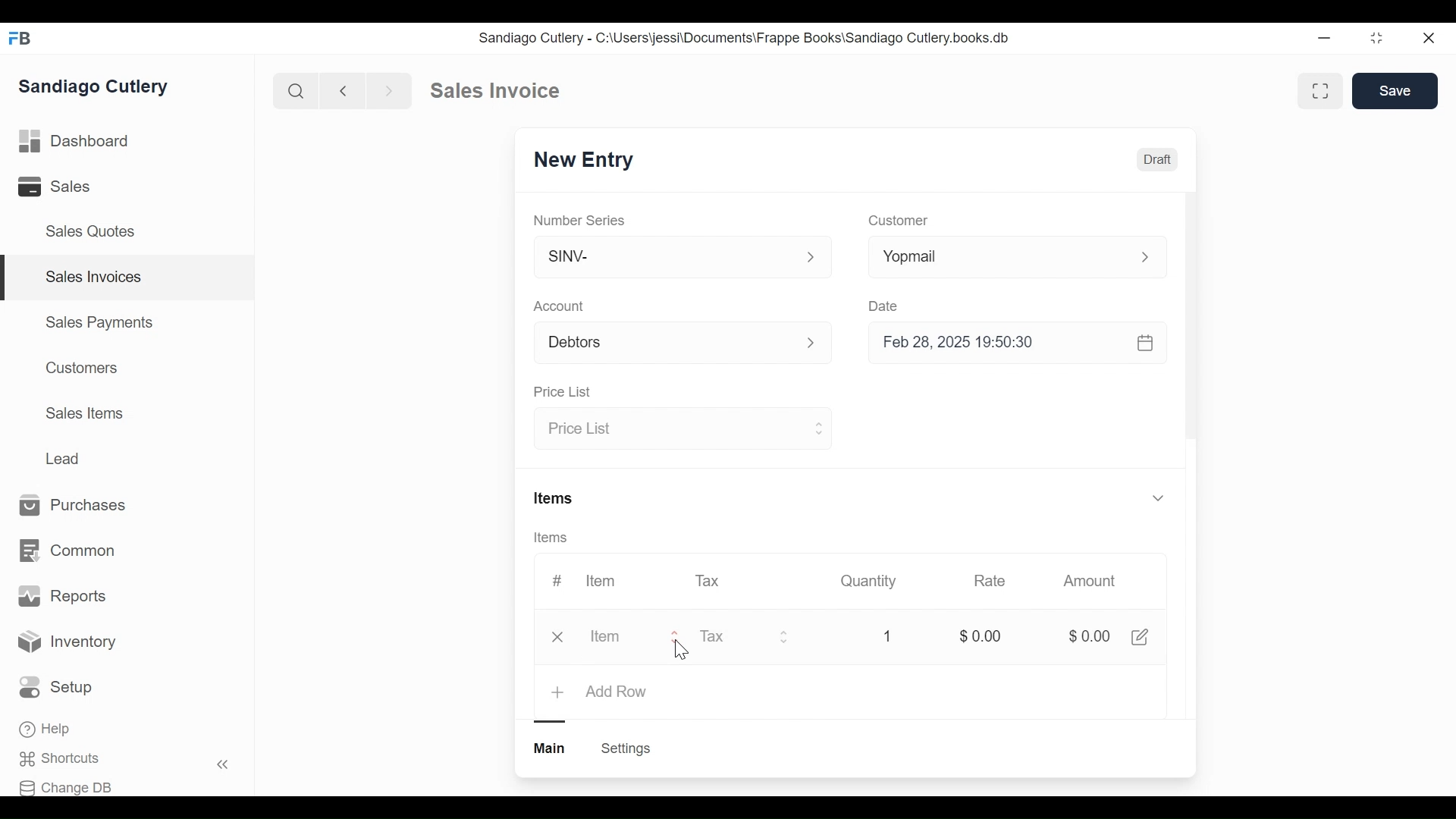 Image resolution: width=1456 pixels, height=819 pixels. I want to click on cursor, so click(679, 651).